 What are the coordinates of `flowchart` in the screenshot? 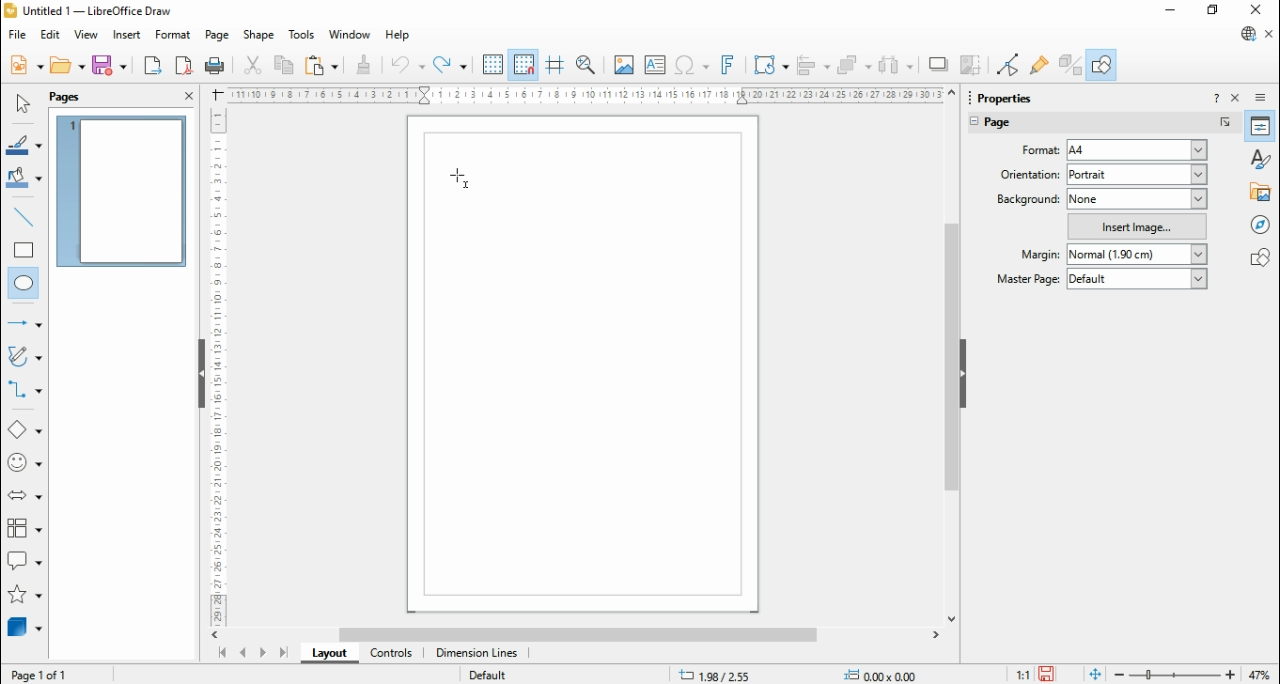 It's located at (25, 532).